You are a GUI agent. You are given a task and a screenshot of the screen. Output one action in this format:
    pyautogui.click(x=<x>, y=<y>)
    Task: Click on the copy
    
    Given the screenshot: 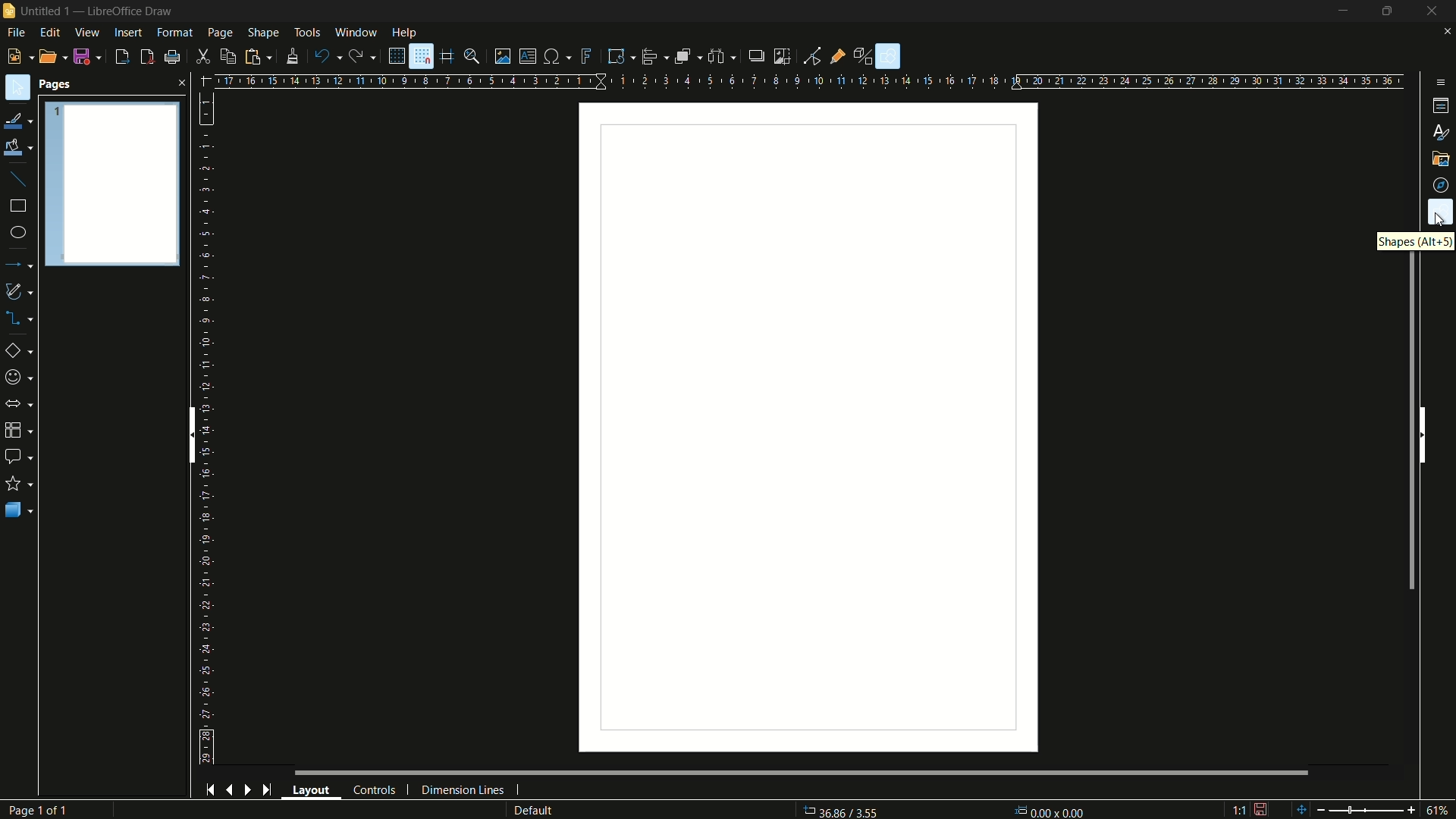 What is the action you would take?
    pyautogui.click(x=229, y=57)
    